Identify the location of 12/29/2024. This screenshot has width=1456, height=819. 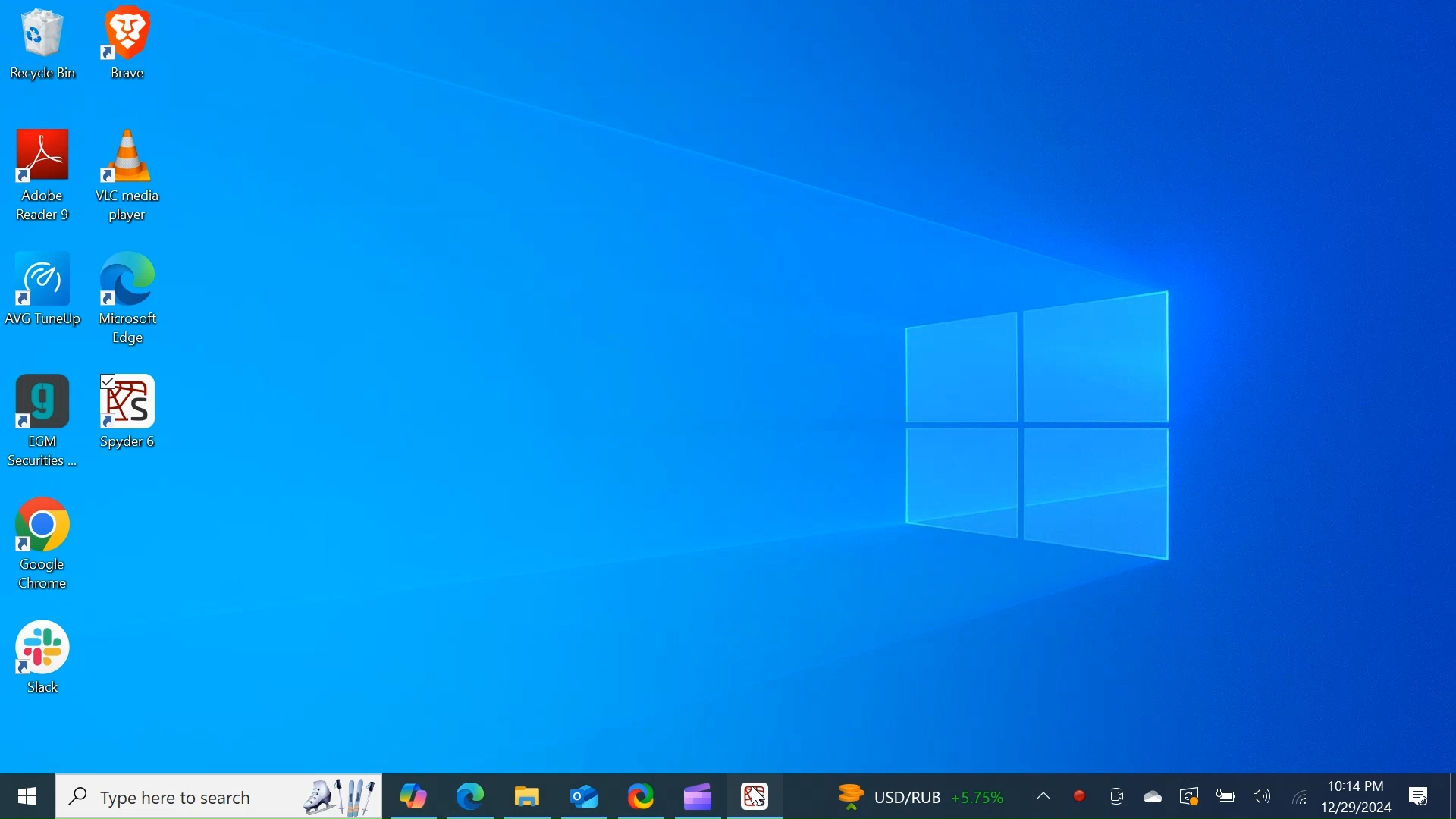
(1354, 808).